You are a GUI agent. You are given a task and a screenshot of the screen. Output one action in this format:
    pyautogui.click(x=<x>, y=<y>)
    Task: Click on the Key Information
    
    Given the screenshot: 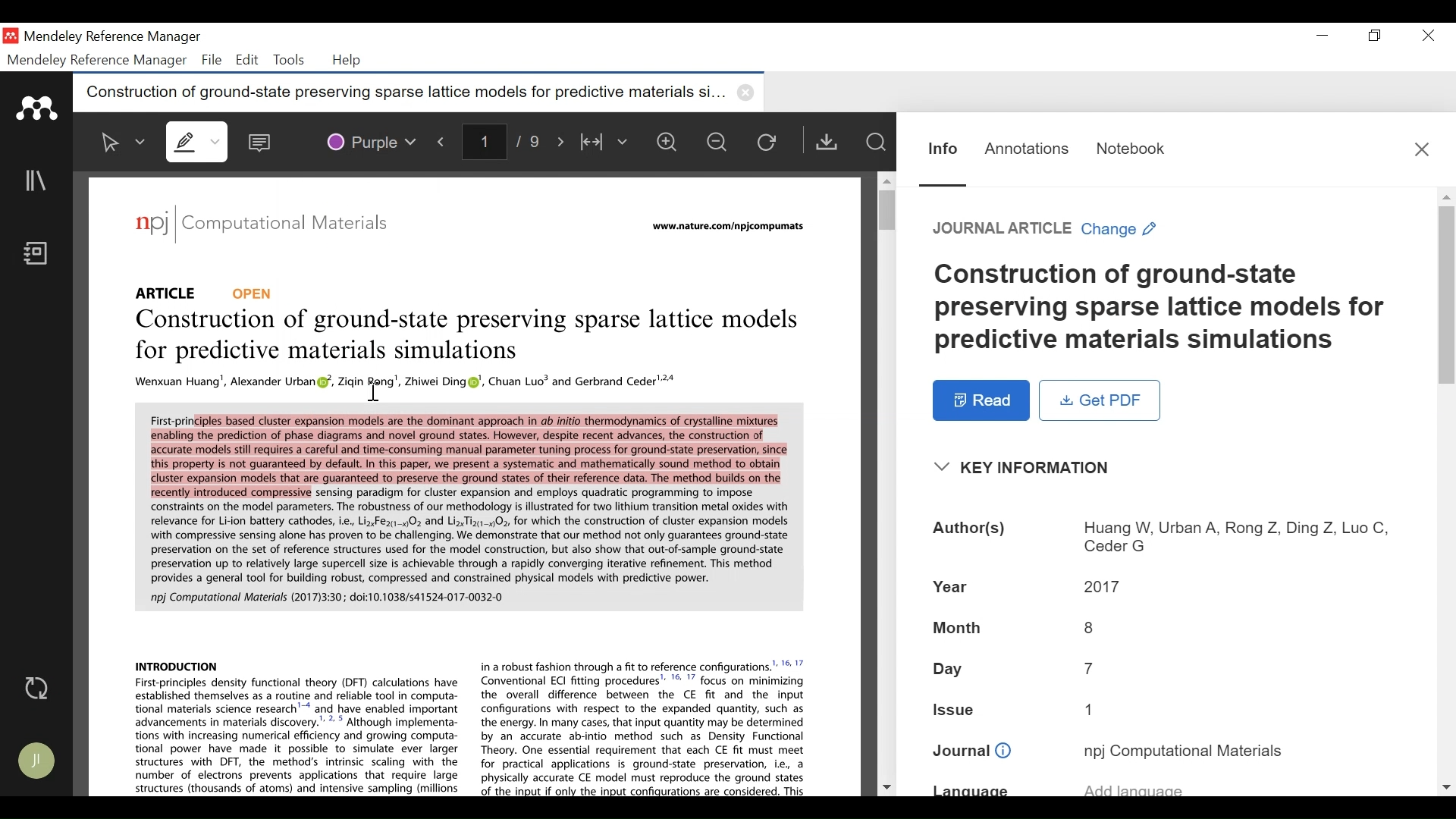 What is the action you would take?
    pyautogui.click(x=1018, y=469)
    